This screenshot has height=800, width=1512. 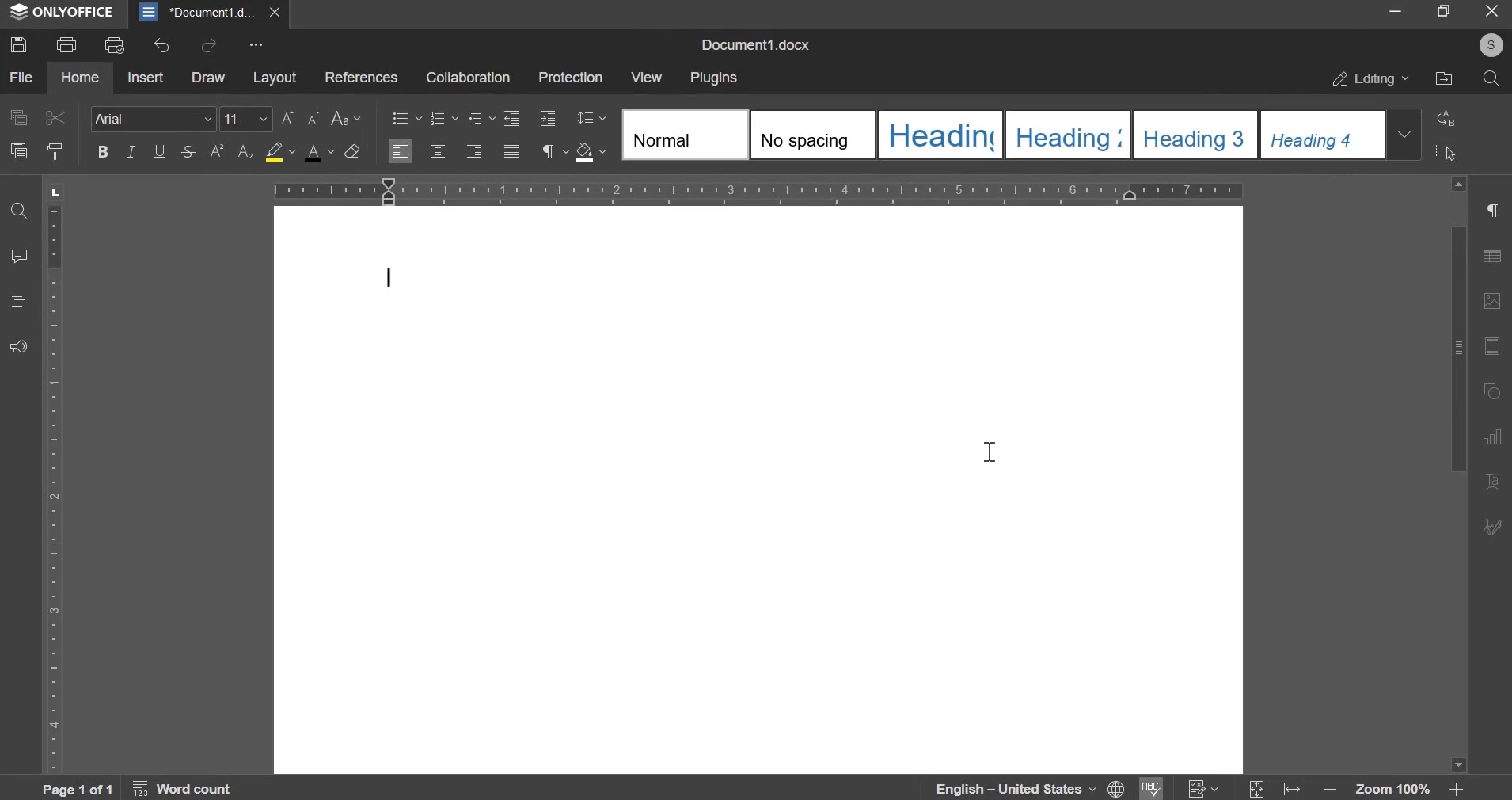 What do you see at coordinates (155, 120) in the screenshot?
I see `font` at bounding box center [155, 120].